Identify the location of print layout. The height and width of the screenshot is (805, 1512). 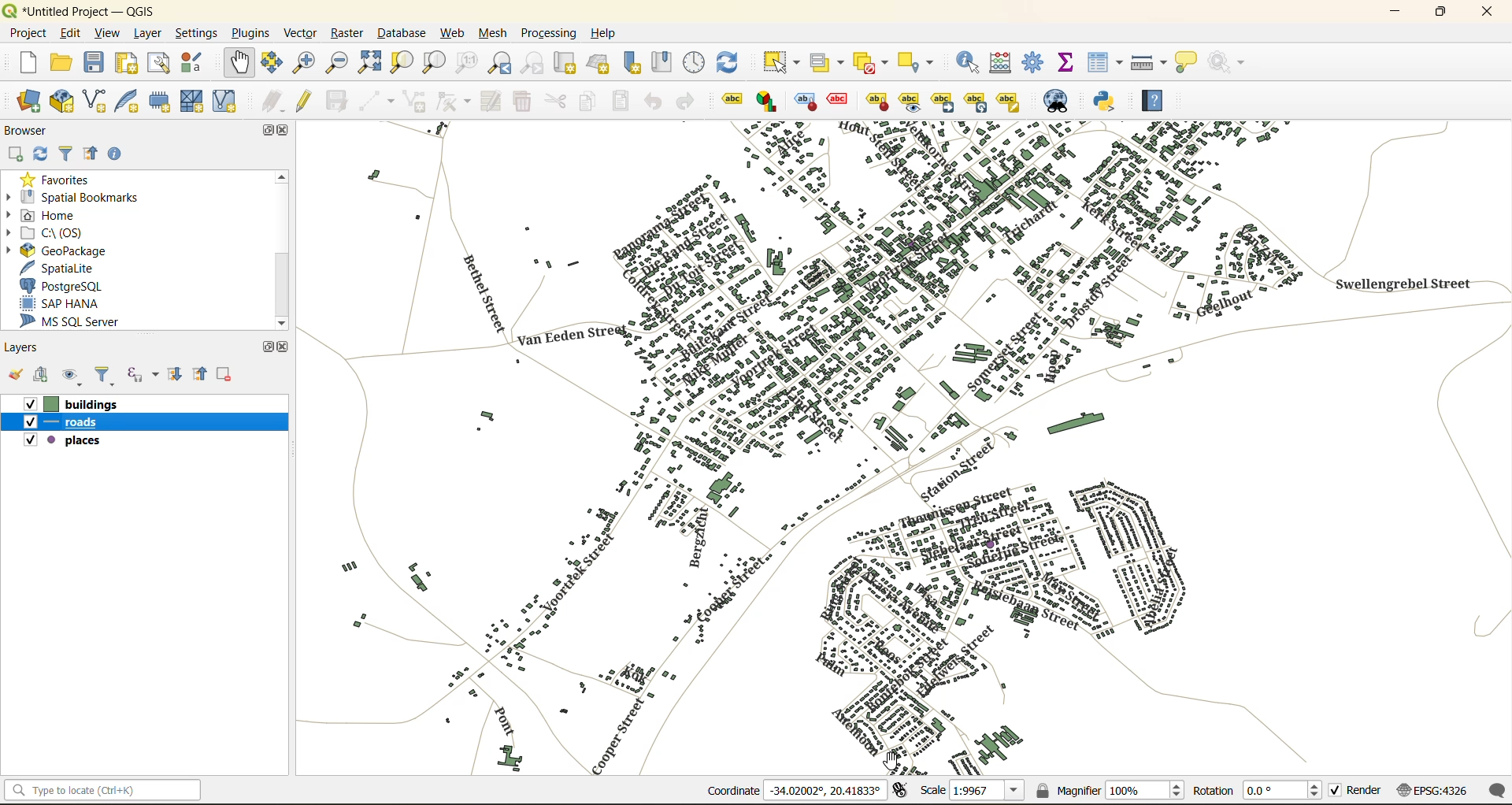
(128, 65).